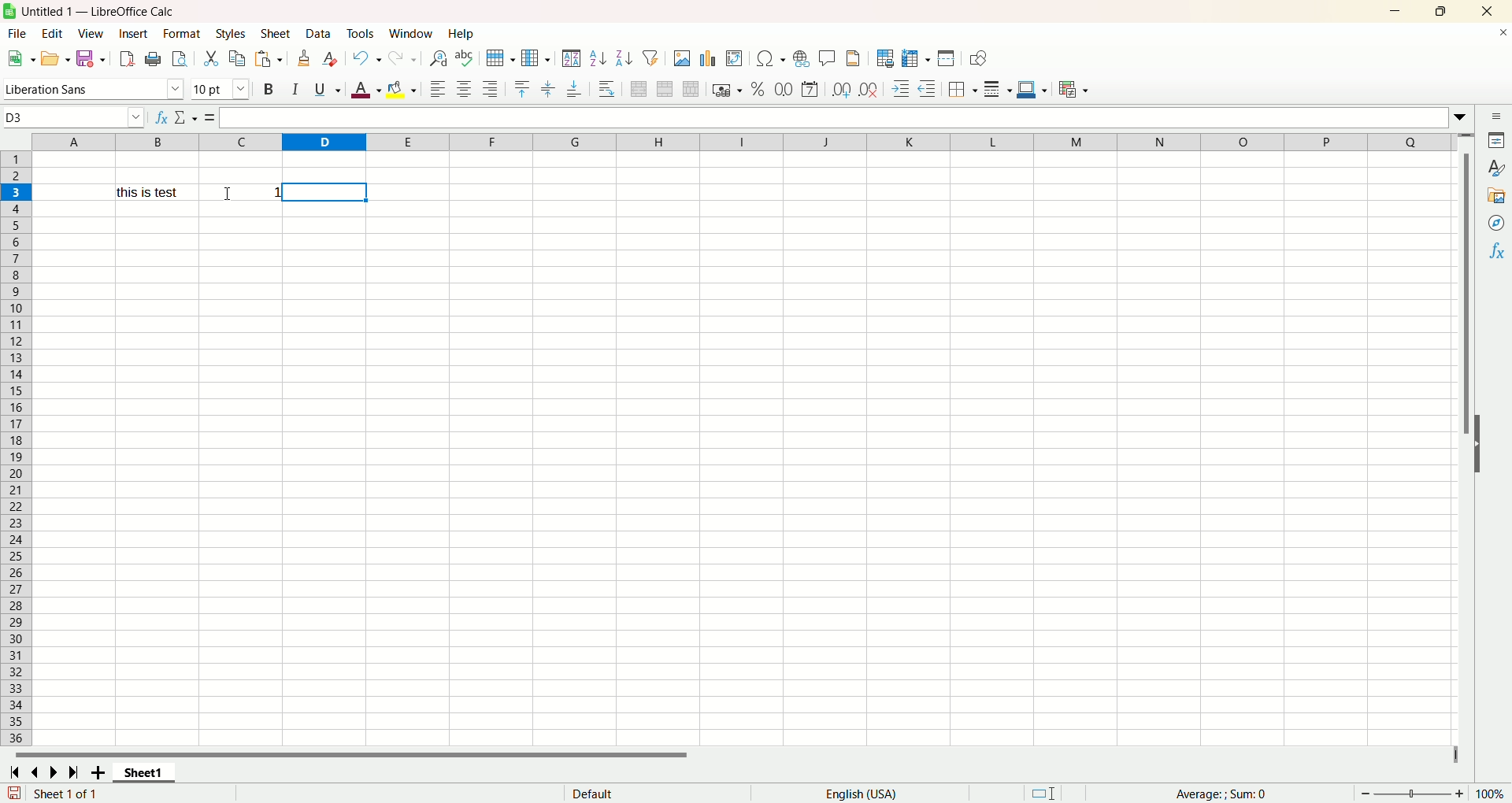 The width and height of the screenshot is (1512, 803). Describe the element at coordinates (622, 57) in the screenshot. I see `sort descending` at that location.